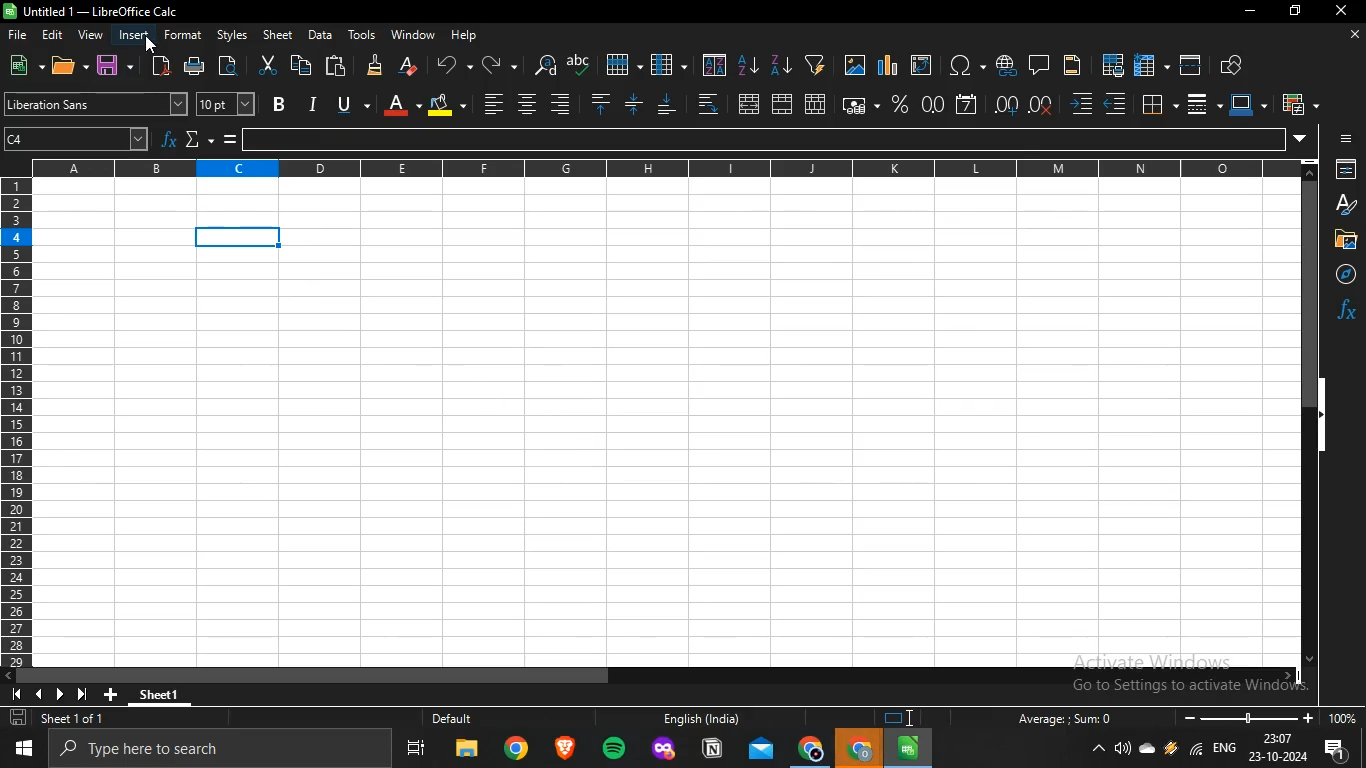 The height and width of the screenshot is (768, 1366). Describe the element at coordinates (855, 104) in the screenshot. I see `format as currency` at that location.